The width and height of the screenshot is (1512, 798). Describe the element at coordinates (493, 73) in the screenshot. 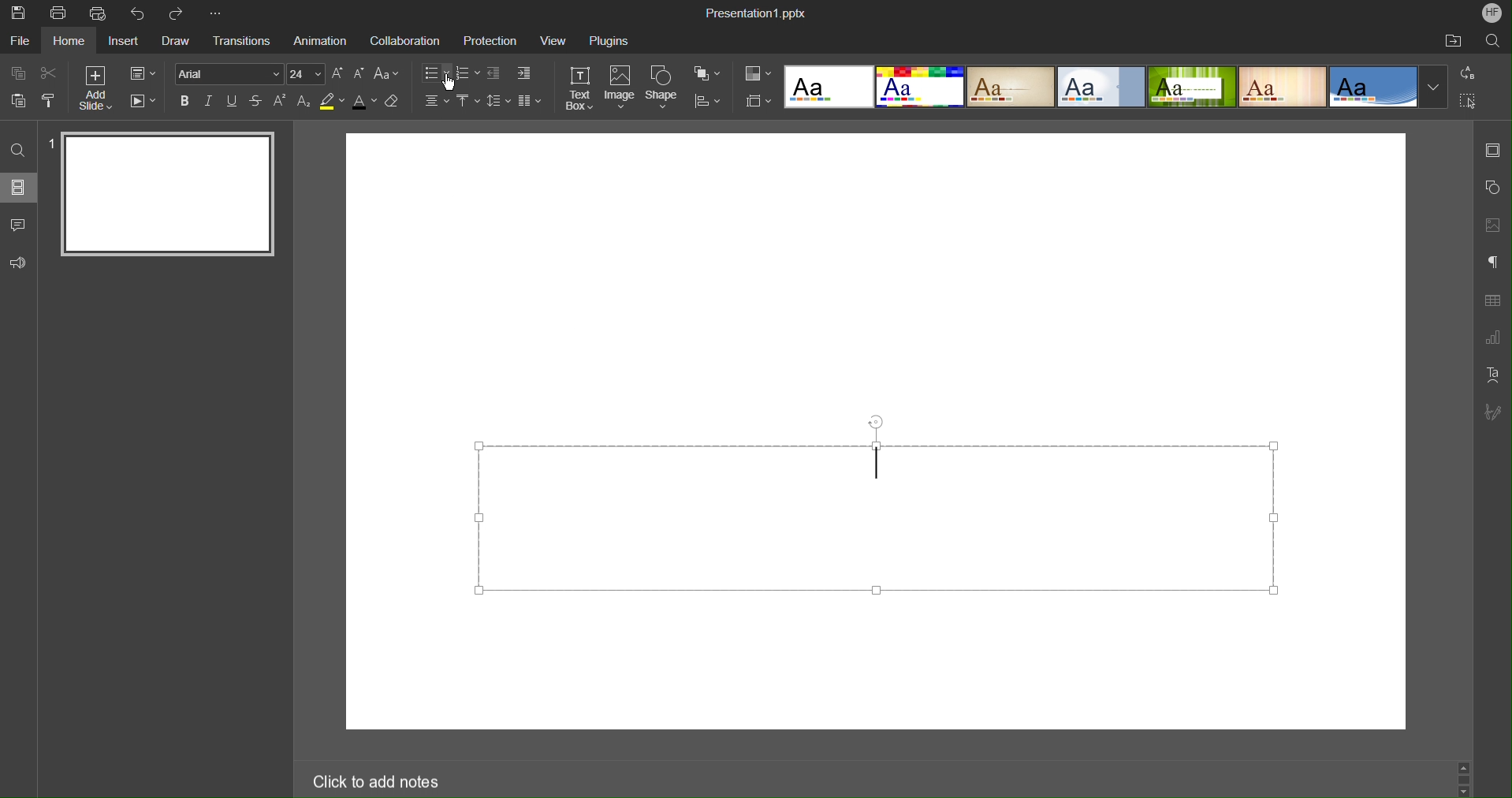

I see `Increase Indent` at that location.